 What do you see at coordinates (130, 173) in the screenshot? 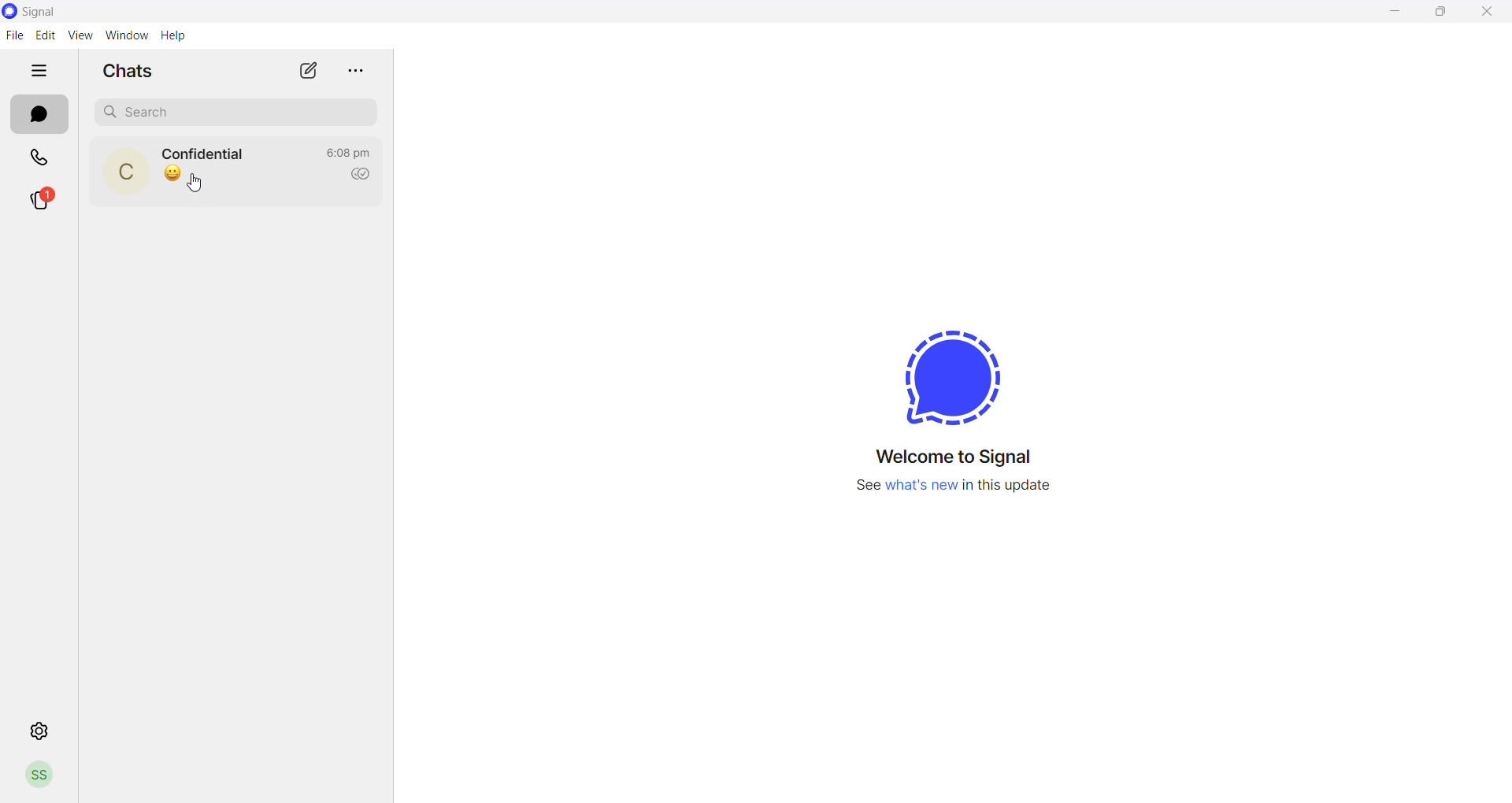
I see `contact profile picture` at bounding box center [130, 173].